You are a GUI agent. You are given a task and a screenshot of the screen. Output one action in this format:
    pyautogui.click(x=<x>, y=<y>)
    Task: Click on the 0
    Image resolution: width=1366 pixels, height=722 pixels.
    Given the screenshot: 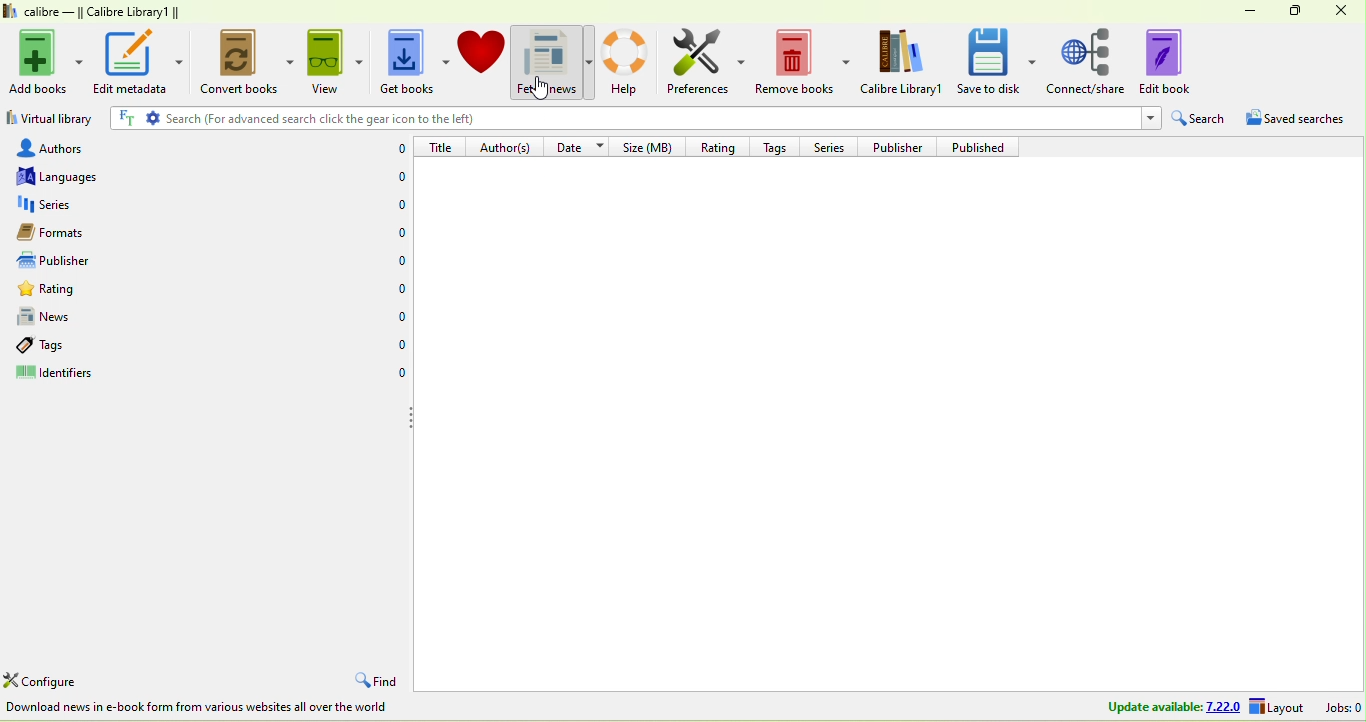 What is the action you would take?
    pyautogui.click(x=399, y=289)
    